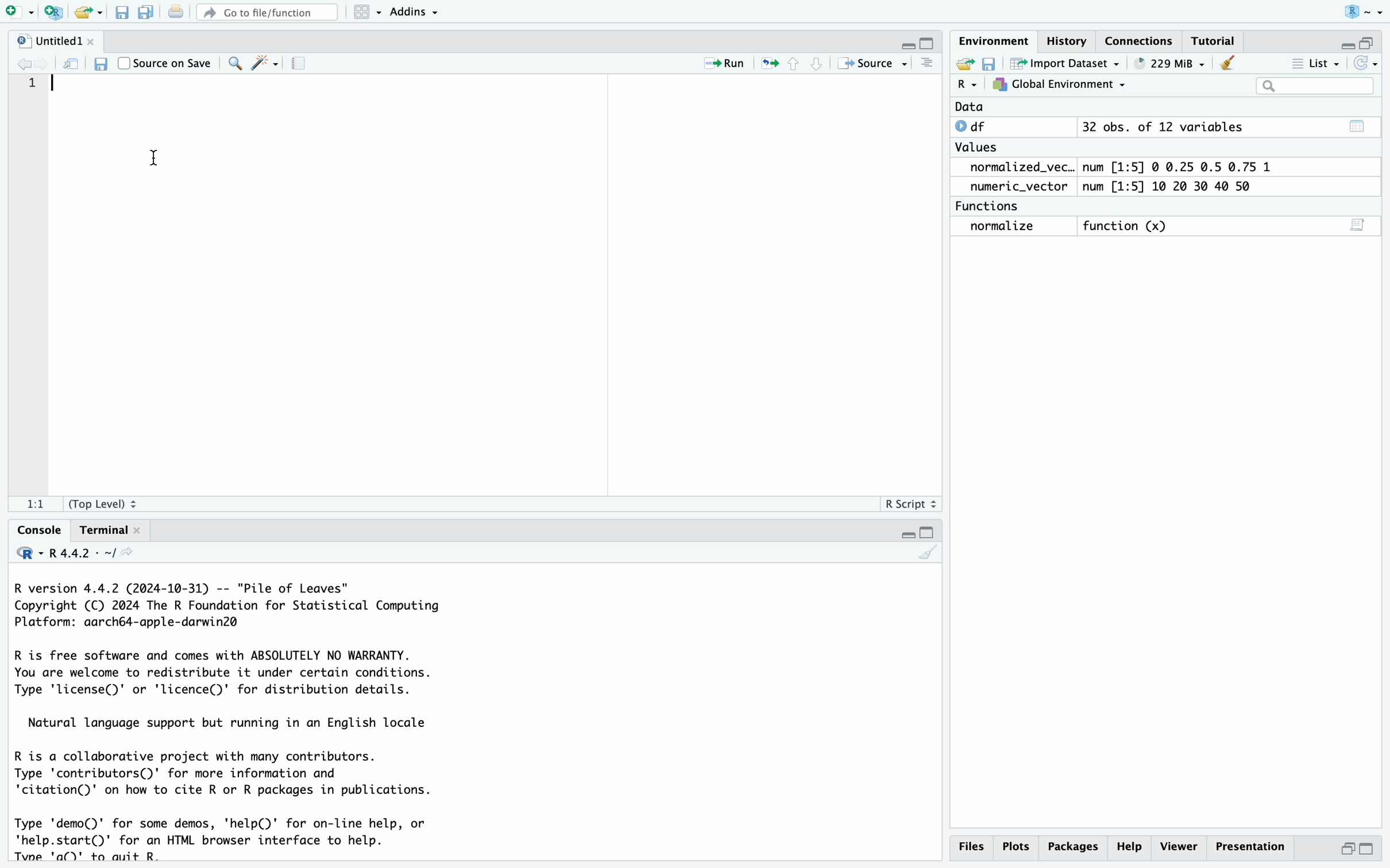 The image size is (1390, 868). I want to click on refresh, so click(1365, 64).